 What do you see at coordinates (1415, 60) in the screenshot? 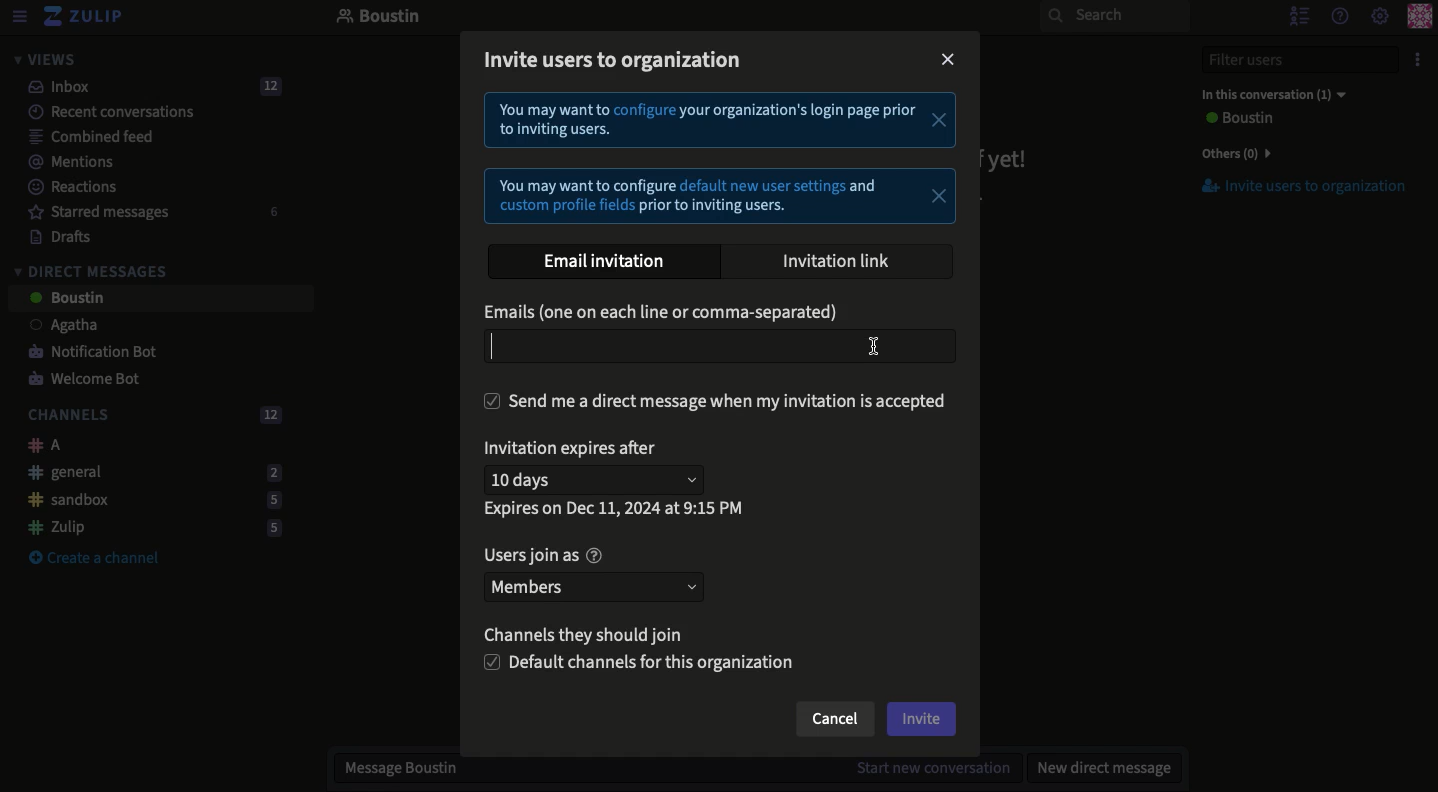
I see `Options` at bounding box center [1415, 60].